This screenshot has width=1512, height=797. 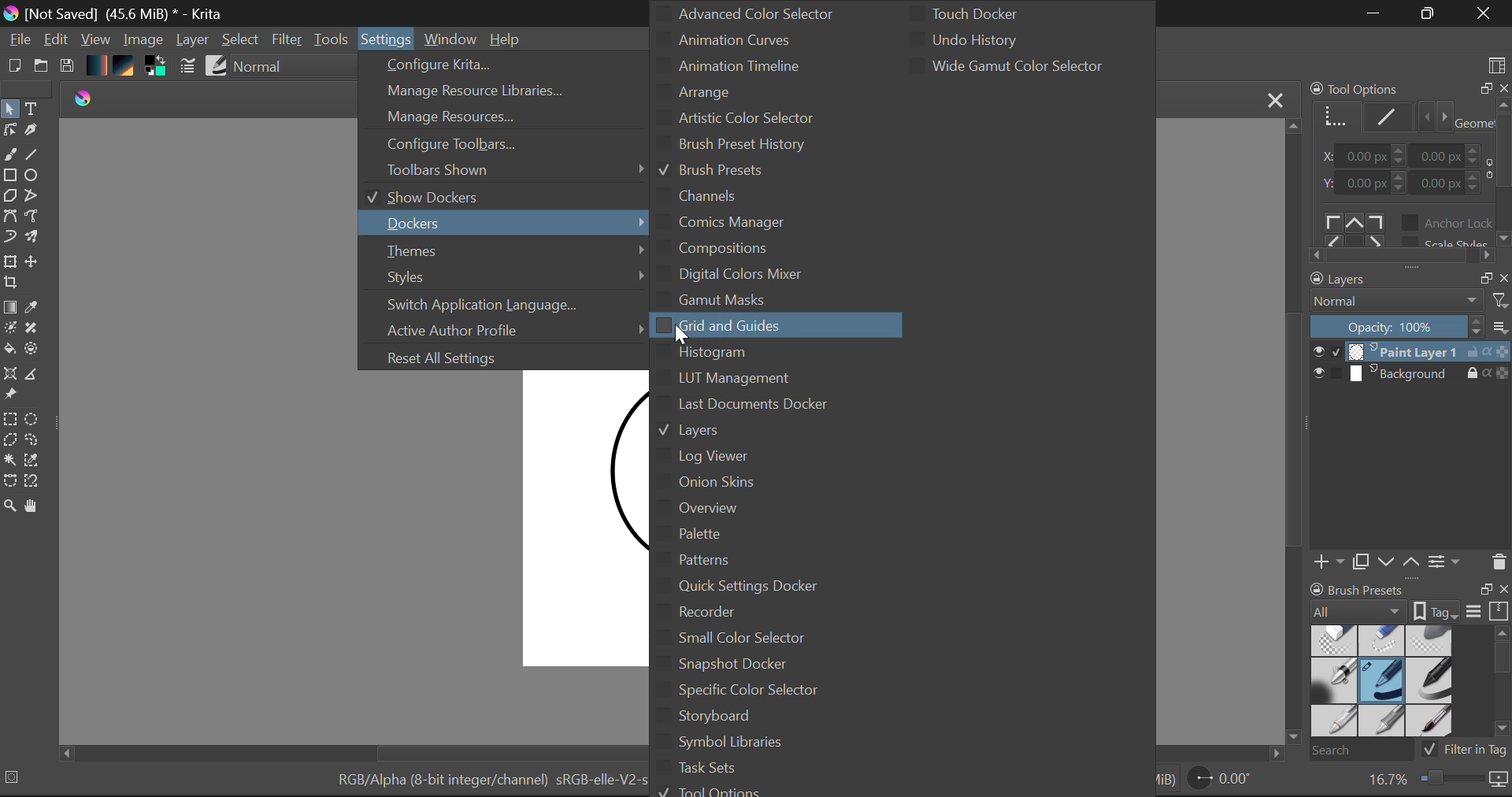 What do you see at coordinates (387, 36) in the screenshot?
I see `Settings Menu Open` at bounding box center [387, 36].